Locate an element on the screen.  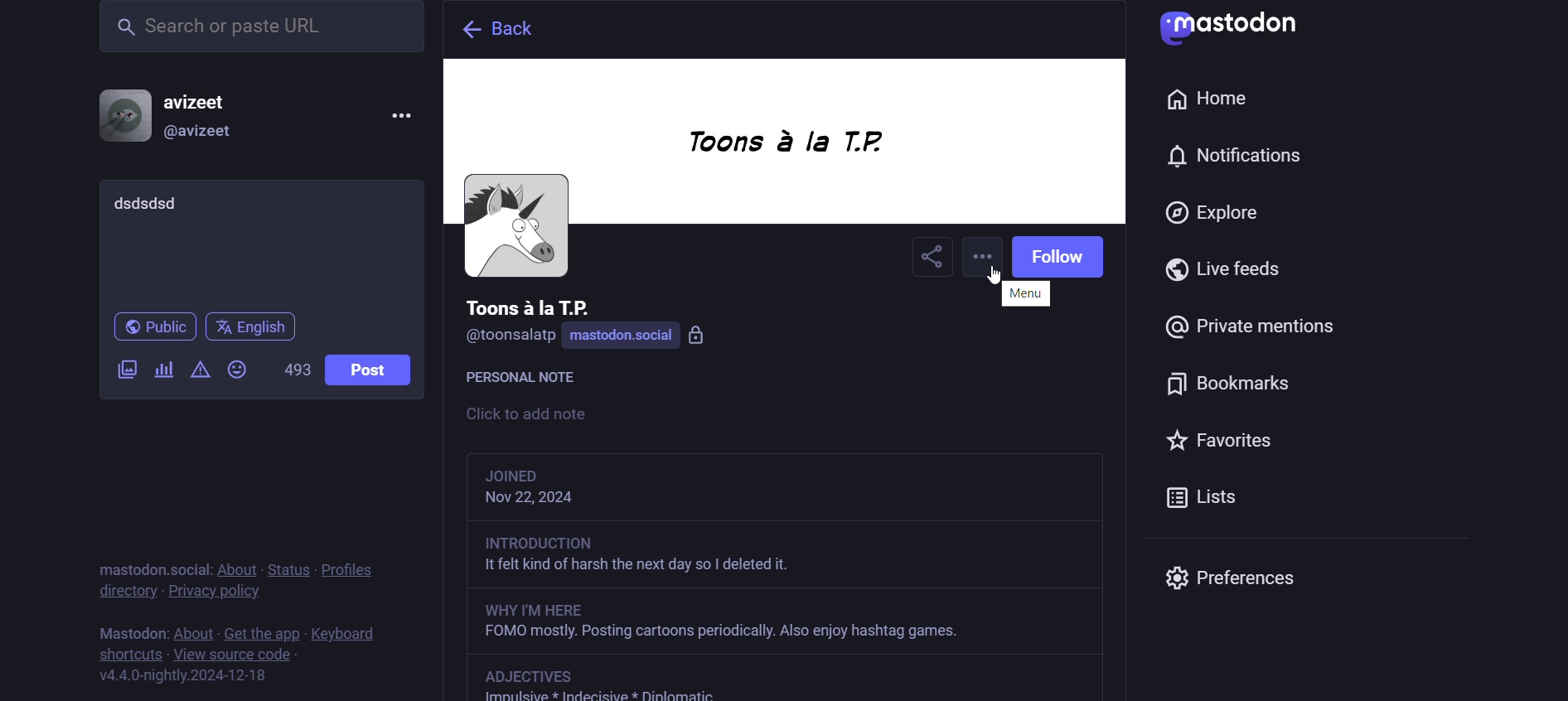
explore  is located at coordinates (1217, 217).